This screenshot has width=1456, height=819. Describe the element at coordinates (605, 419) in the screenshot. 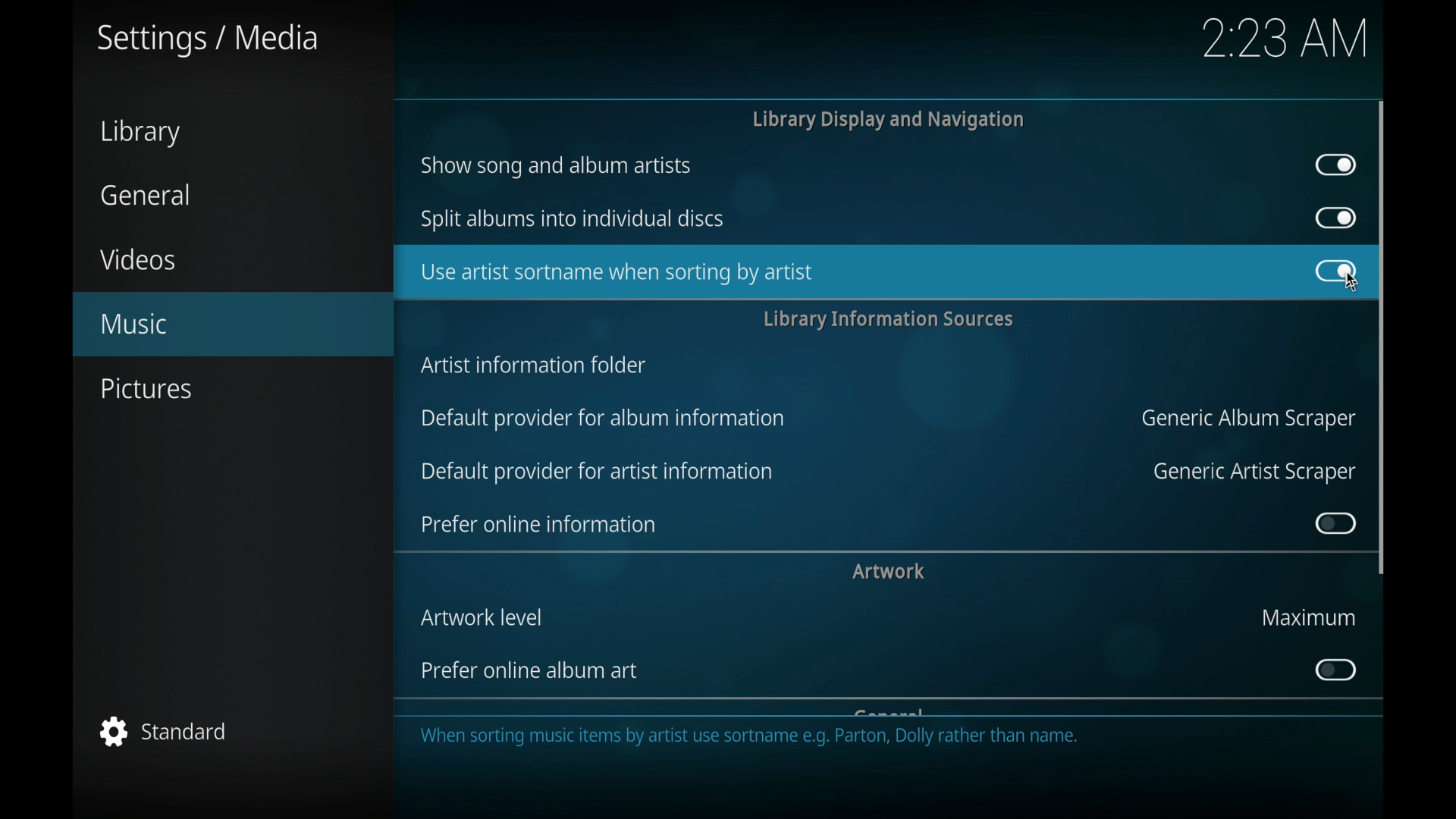

I see `default provider for album information` at that location.